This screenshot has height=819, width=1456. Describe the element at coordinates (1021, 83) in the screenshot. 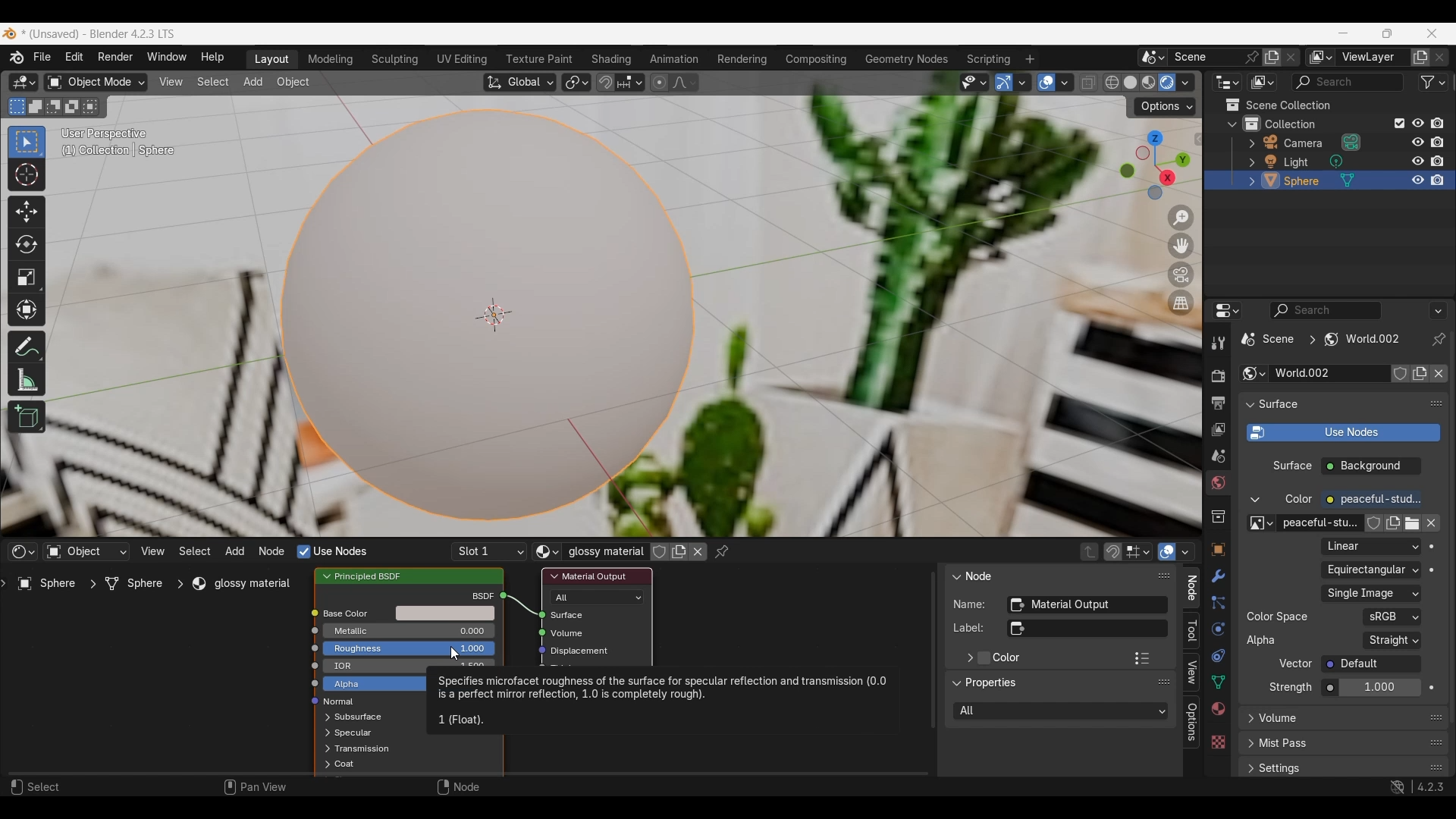

I see `Gizmo options` at that location.